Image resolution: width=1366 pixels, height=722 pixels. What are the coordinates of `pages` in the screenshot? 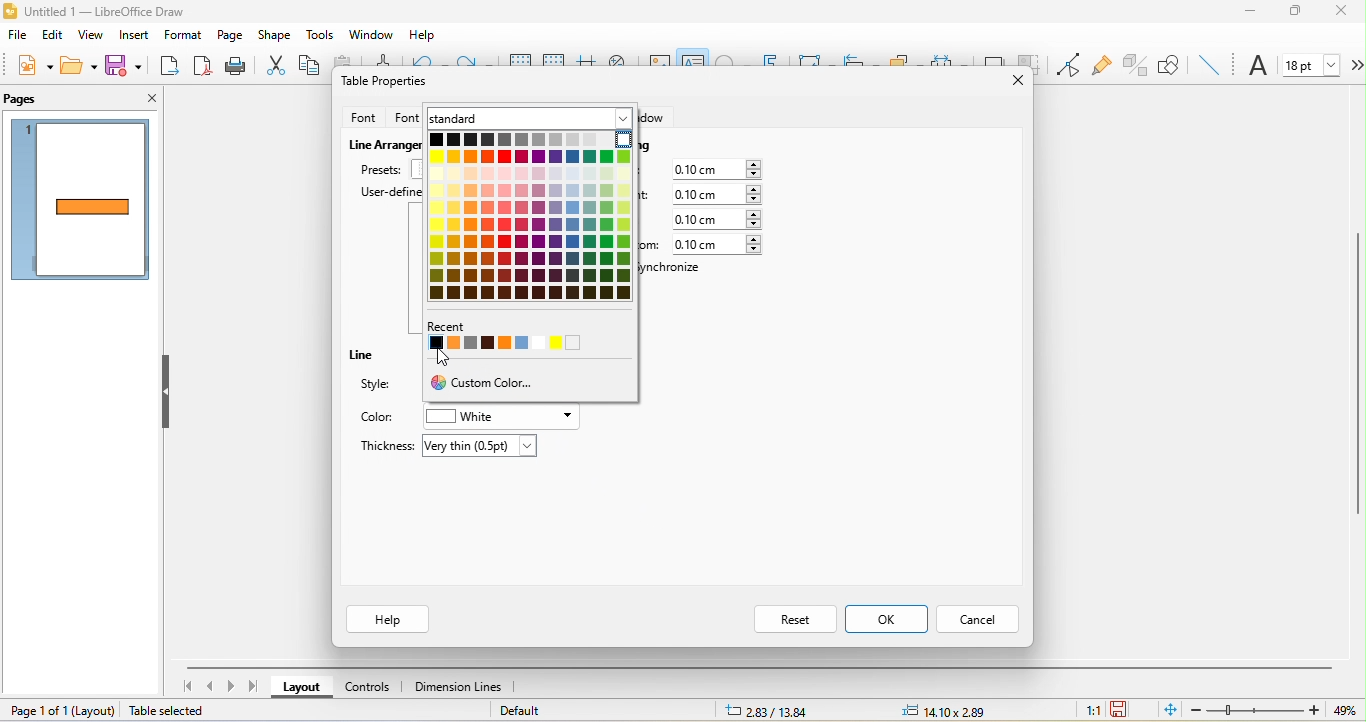 It's located at (24, 99).